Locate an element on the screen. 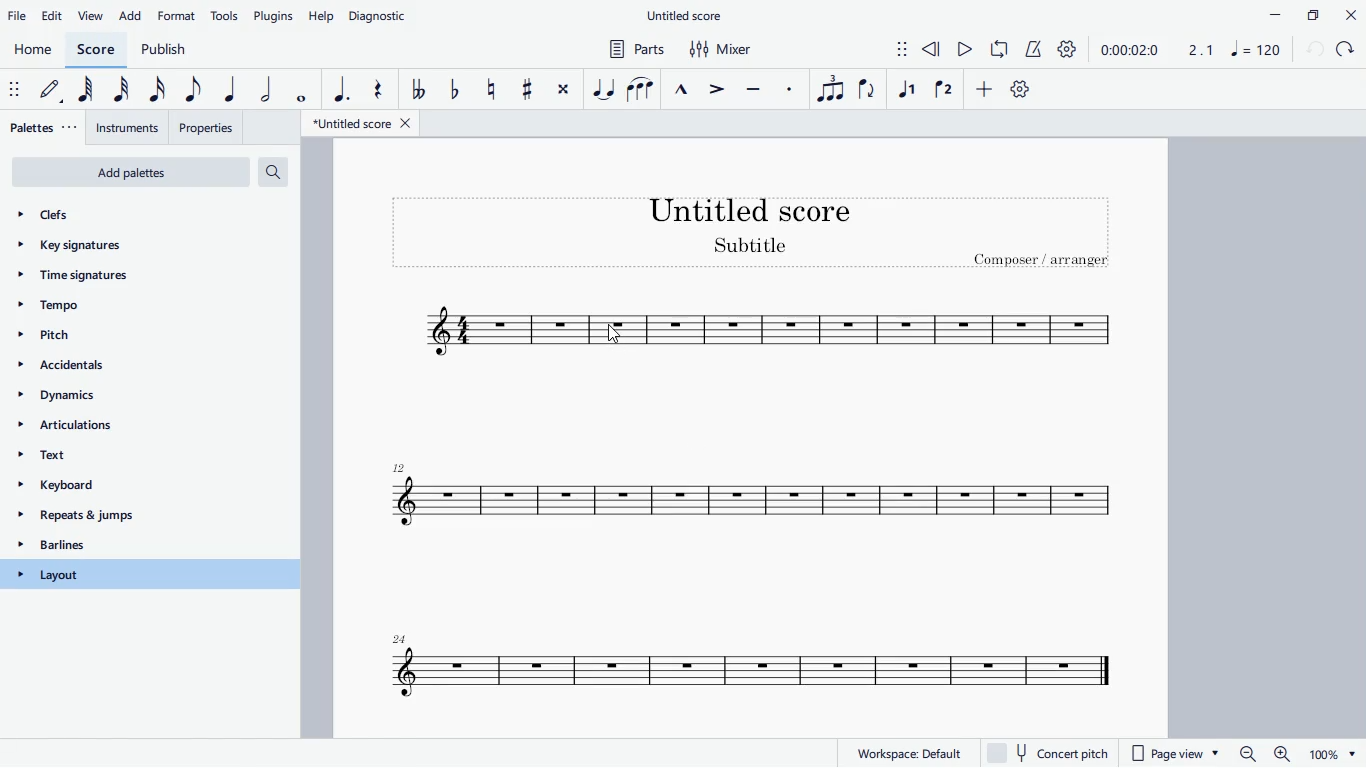 The width and height of the screenshot is (1366, 768). rest is located at coordinates (377, 89).